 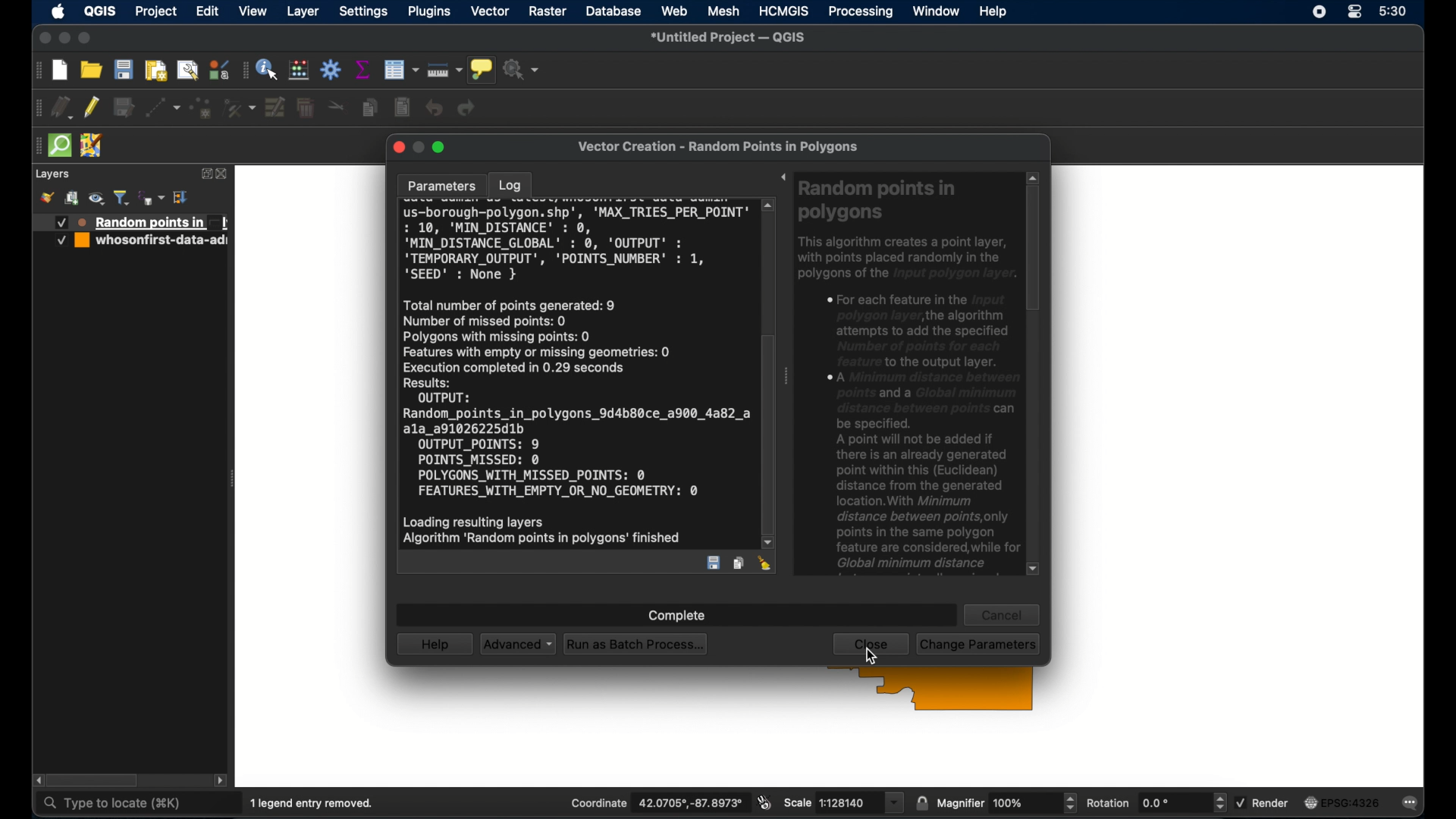 What do you see at coordinates (37, 780) in the screenshot?
I see `scroll left arrow` at bounding box center [37, 780].